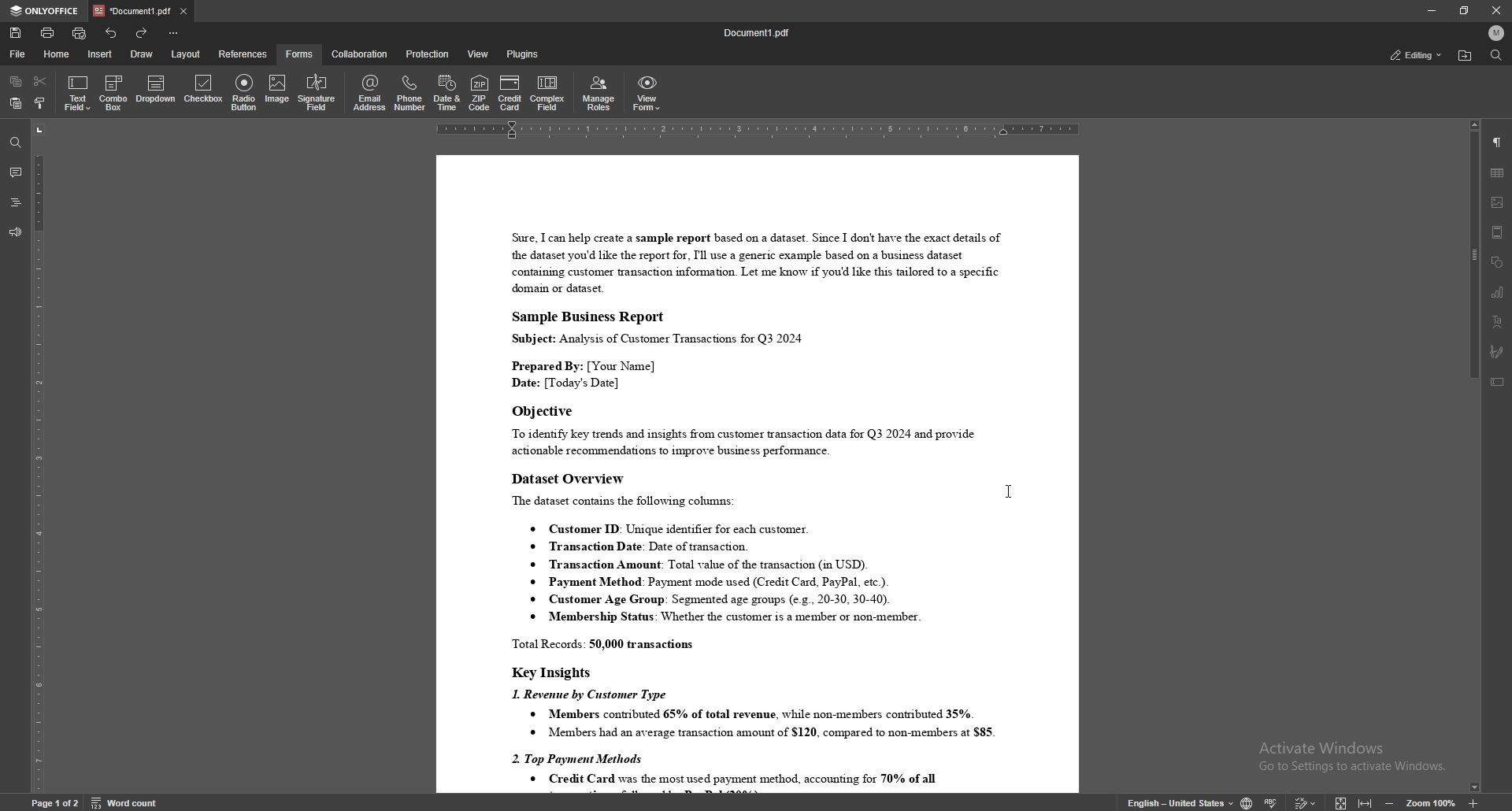 Image resolution: width=1512 pixels, height=811 pixels. Describe the element at coordinates (16, 82) in the screenshot. I see `copy` at that location.